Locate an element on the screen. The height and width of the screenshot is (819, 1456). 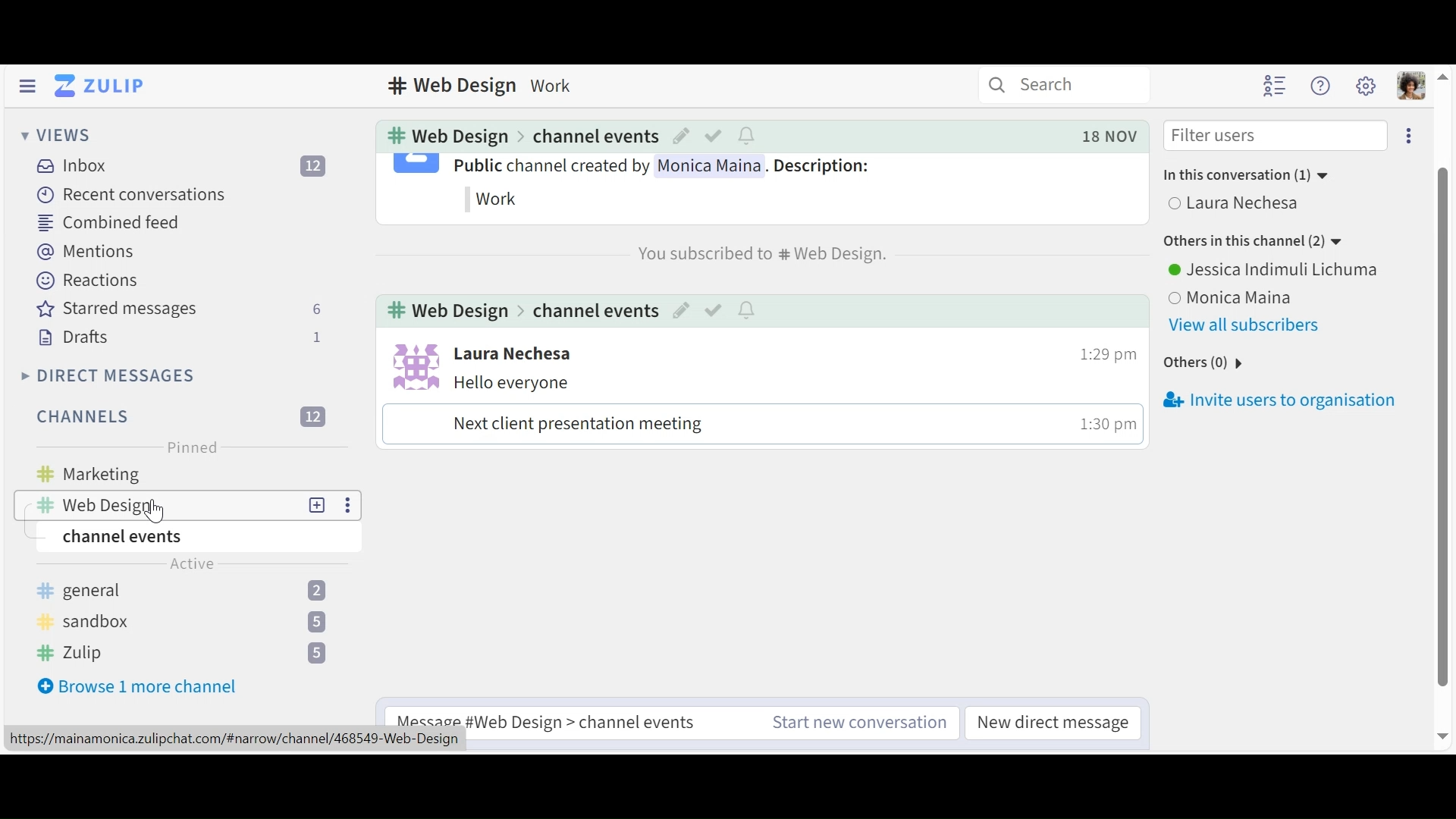
https://mainamonica.zulipchat.com/#narrow/channel/468549-Web-Design is located at coordinates (235, 739).